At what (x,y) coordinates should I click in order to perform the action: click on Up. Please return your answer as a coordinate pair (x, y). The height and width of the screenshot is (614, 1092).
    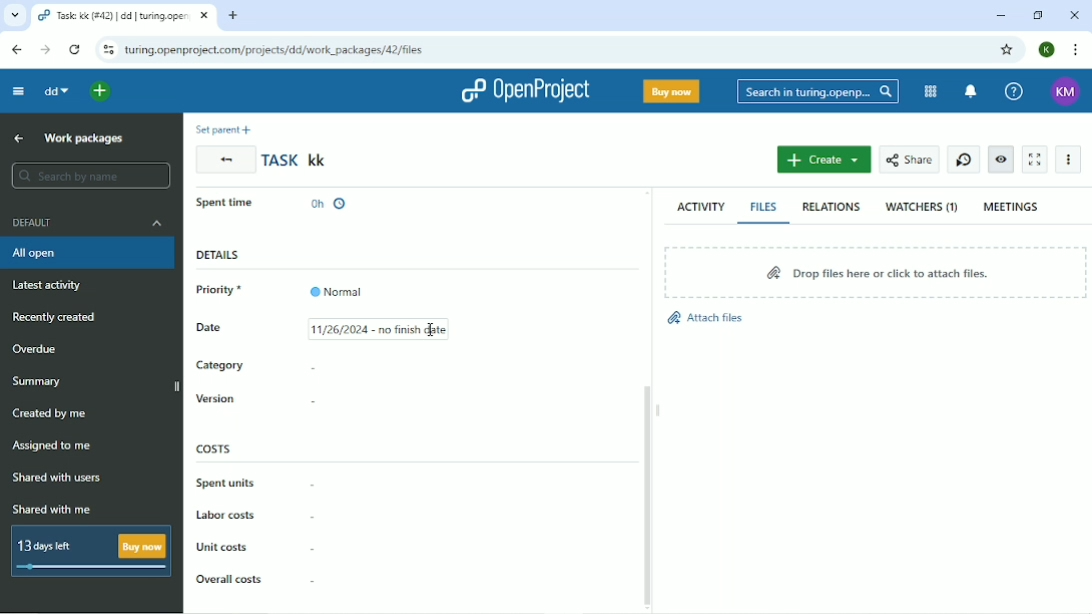
    Looking at the image, I should click on (19, 138).